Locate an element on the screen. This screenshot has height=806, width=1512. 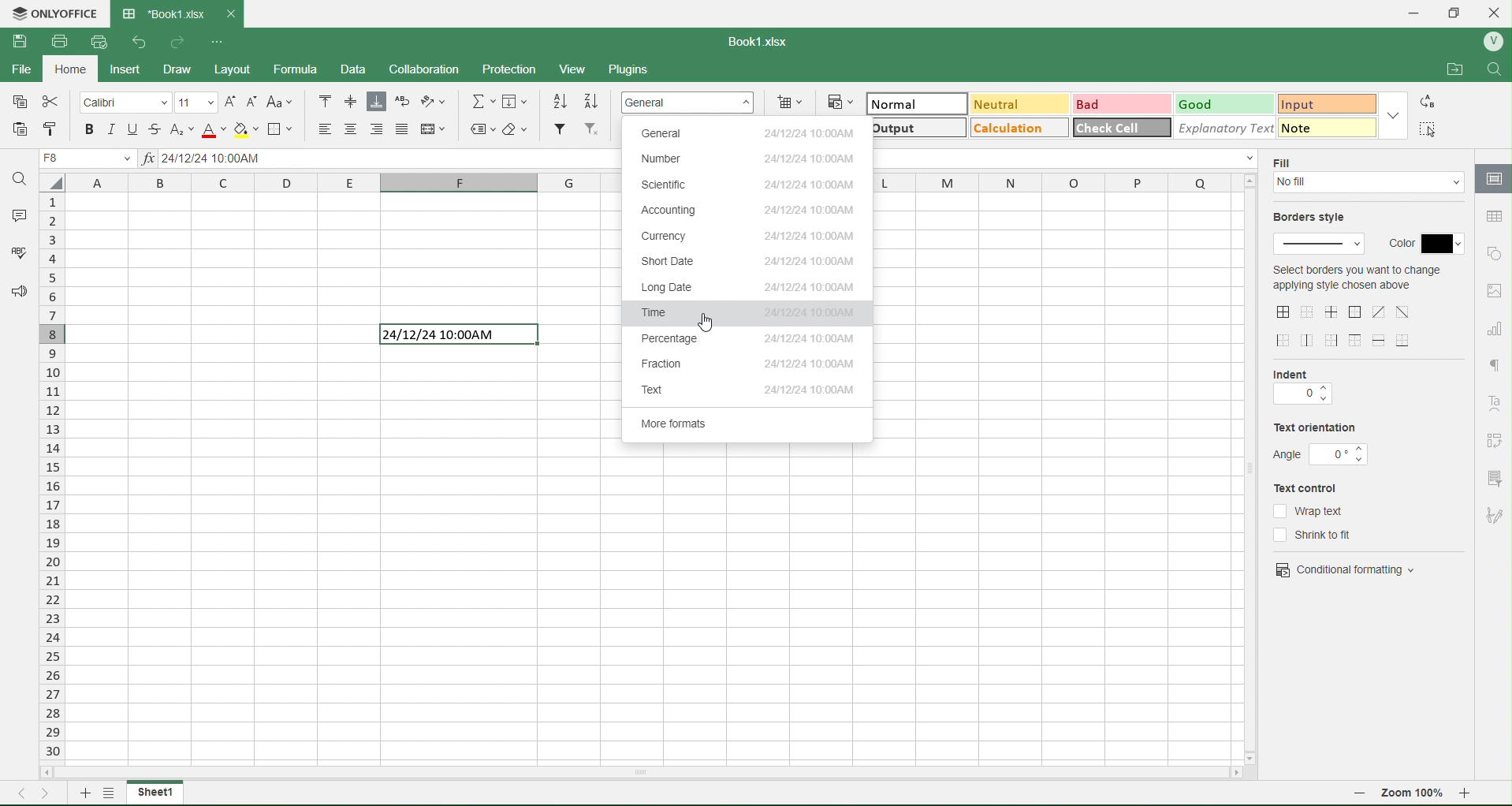
Align Bottom is located at coordinates (377, 103).